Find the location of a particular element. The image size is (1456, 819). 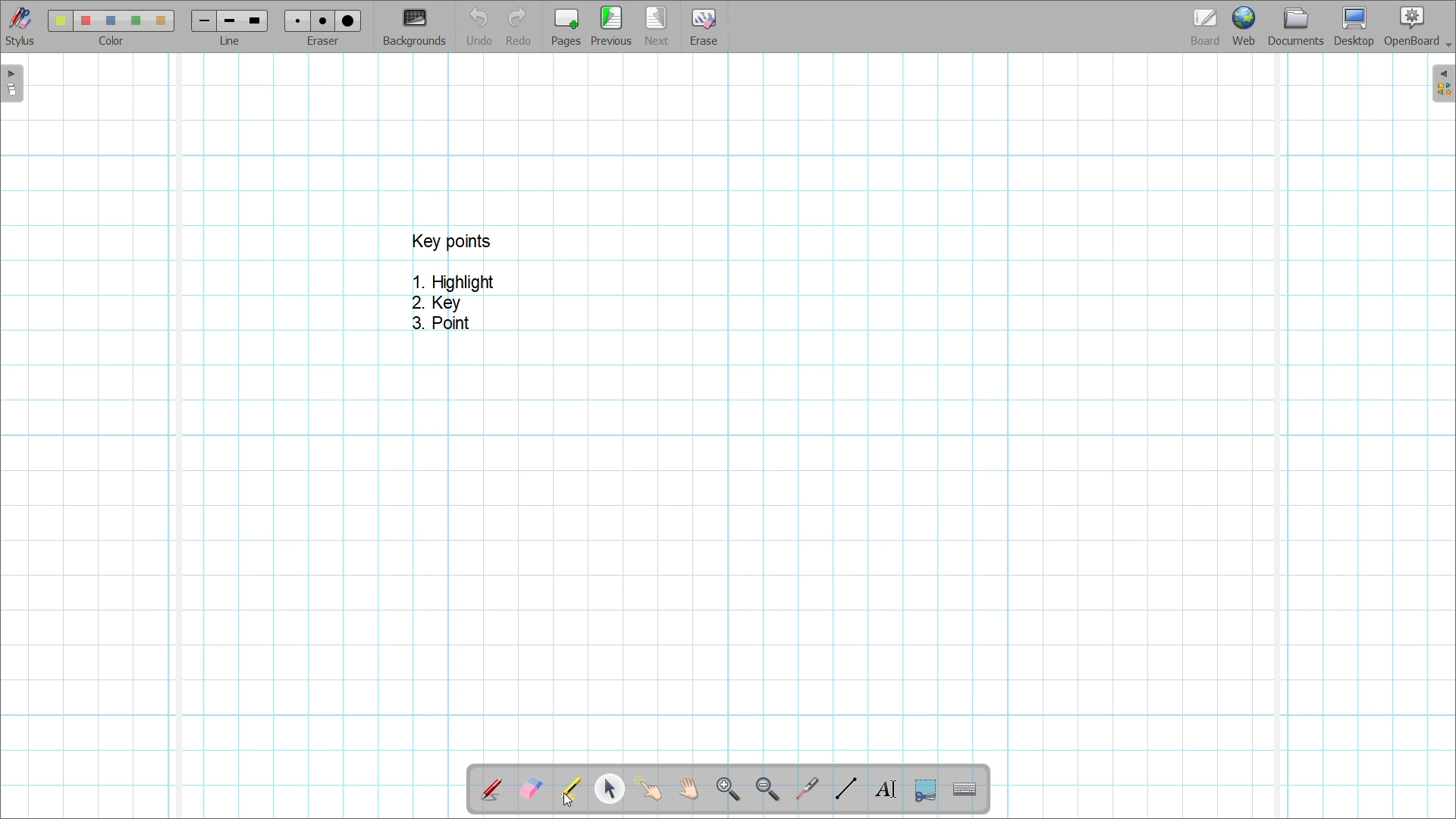

Highlight is located at coordinates (570, 789).